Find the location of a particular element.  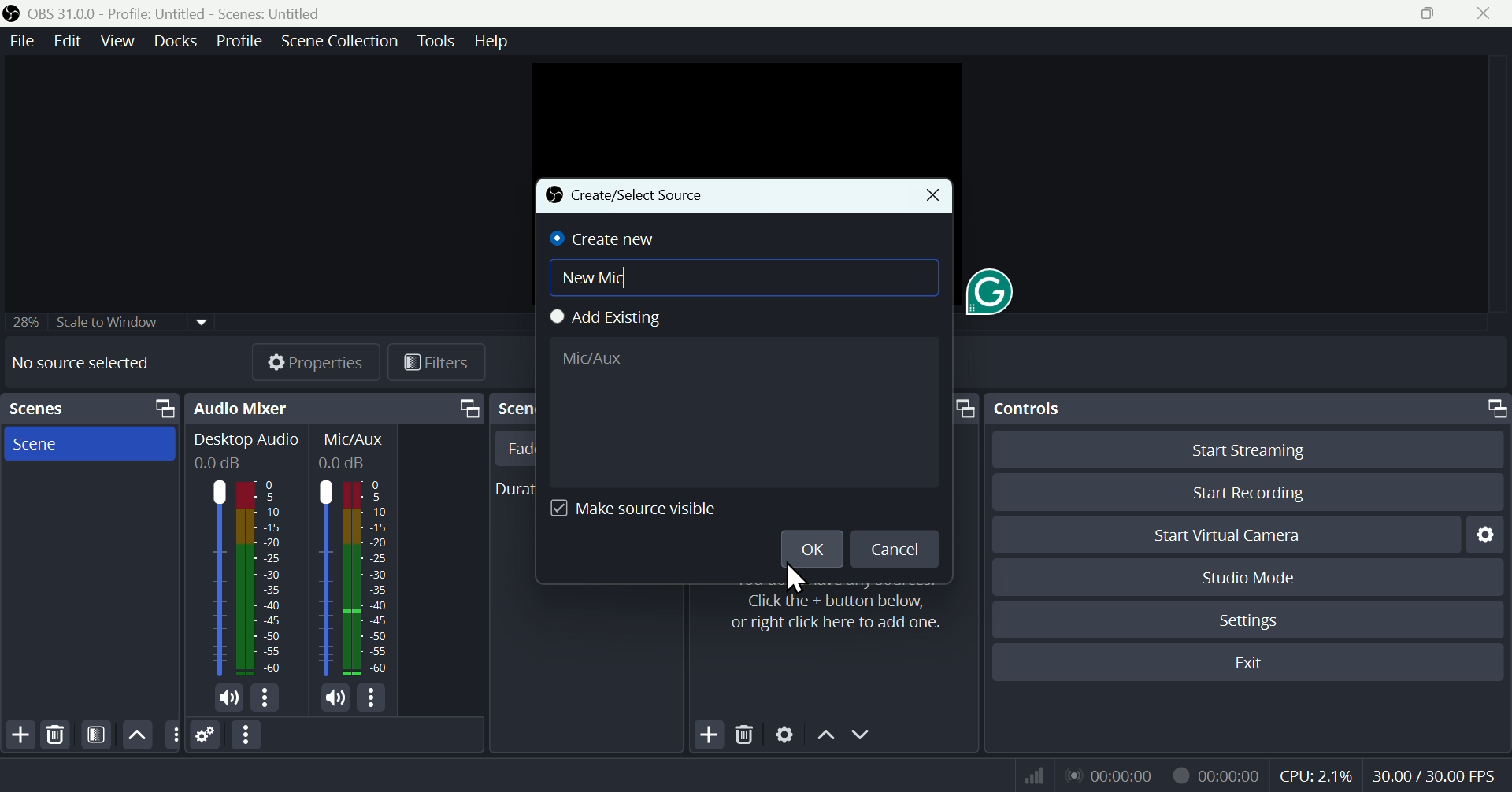

 is located at coordinates (172, 735).